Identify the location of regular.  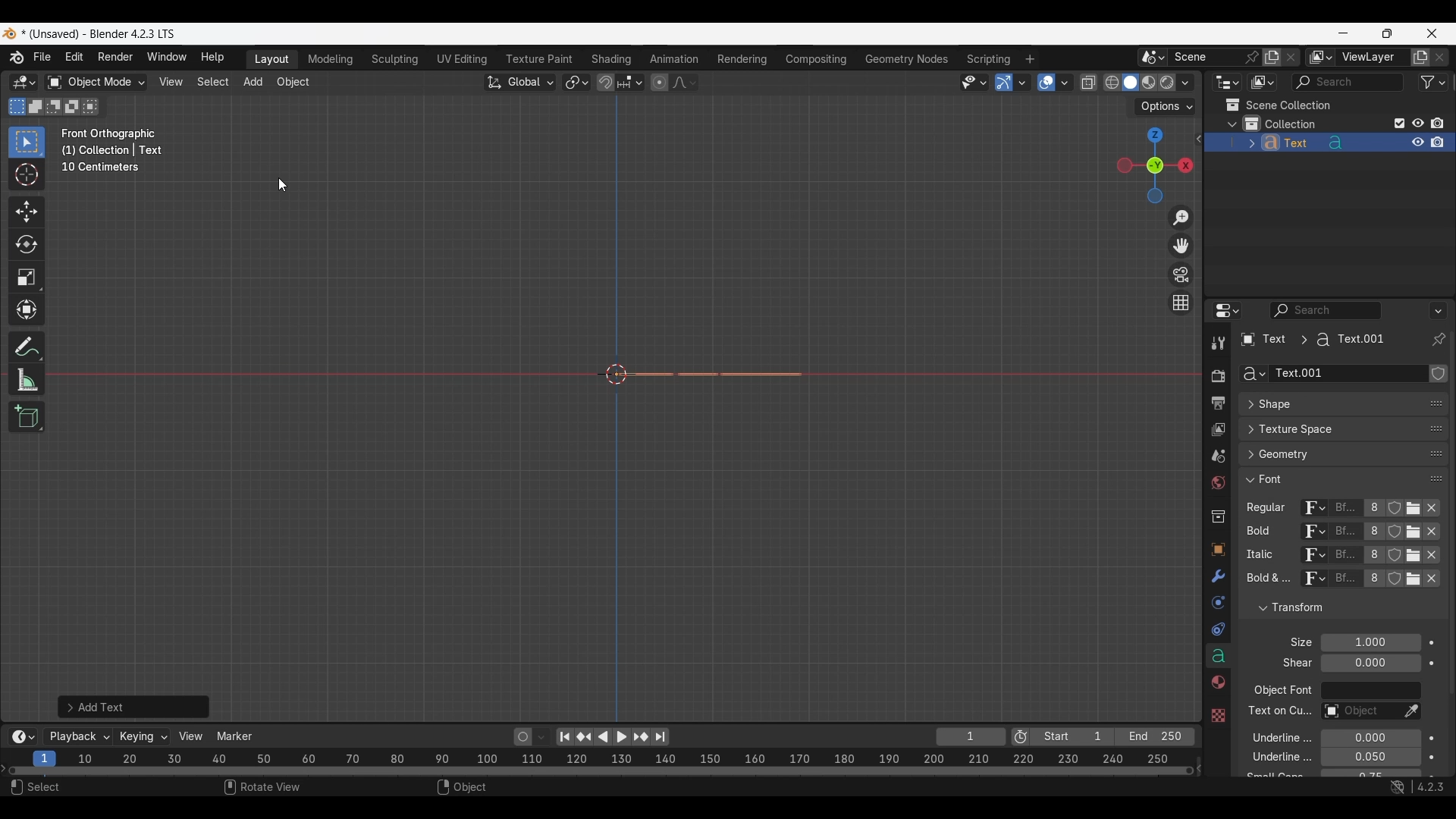
(1269, 509).